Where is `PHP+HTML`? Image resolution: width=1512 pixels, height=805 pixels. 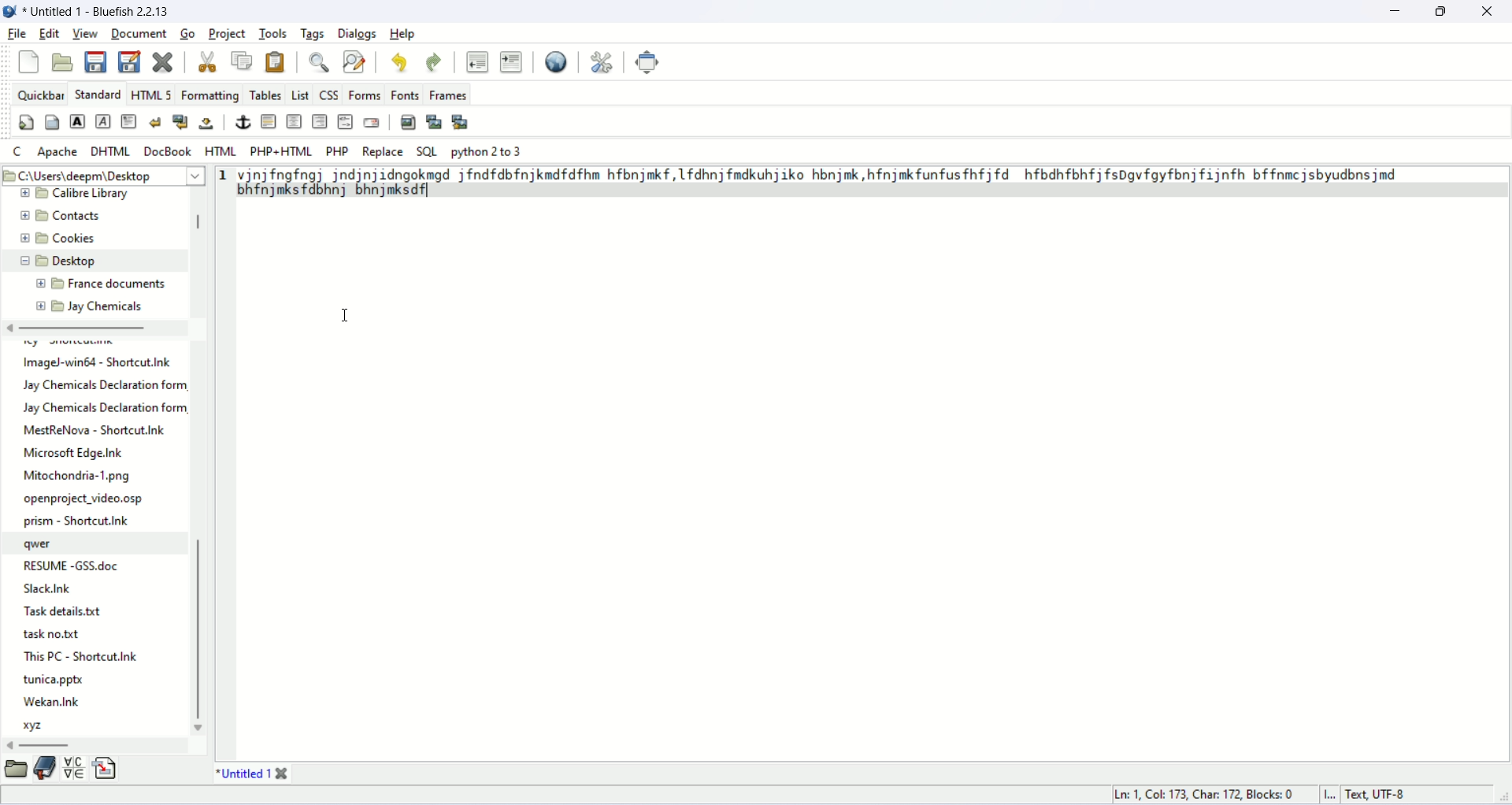 PHP+HTML is located at coordinates (281, 152).